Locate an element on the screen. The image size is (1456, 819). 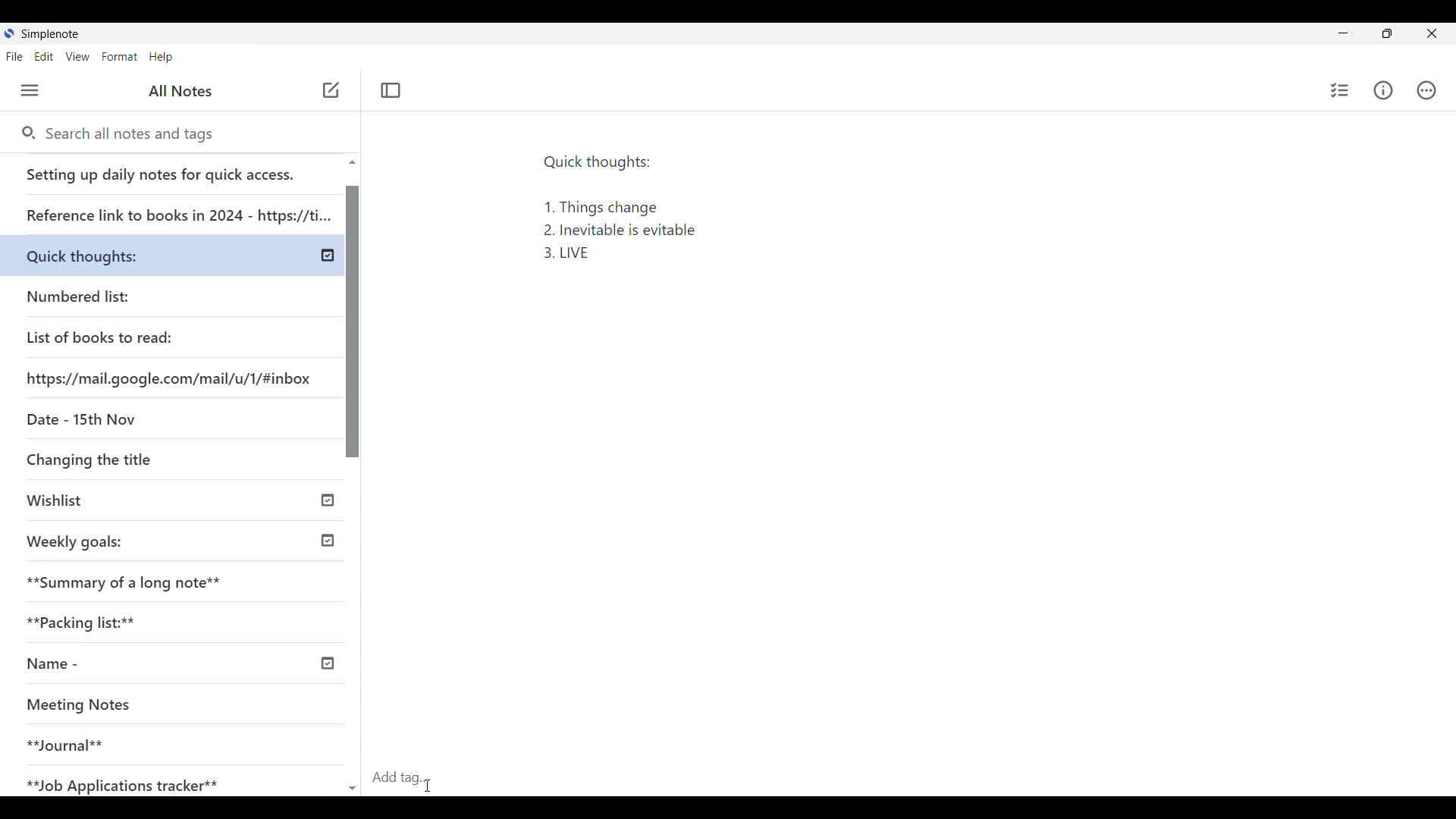
Weekly goals is located at coordinates (74, 540).